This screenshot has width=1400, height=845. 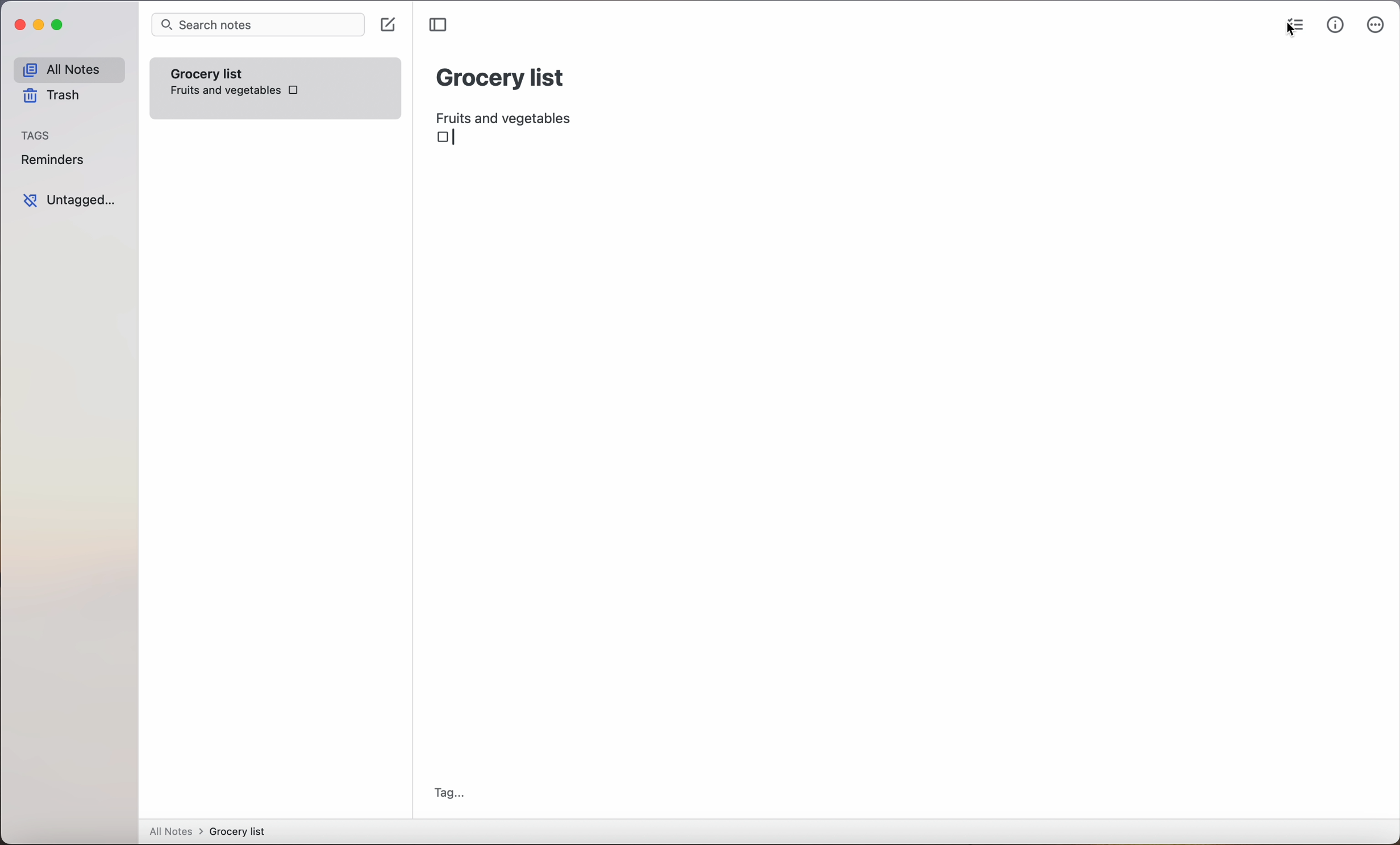 What do you see at coordinates (294, 89) in the screenshot?
I see `checkbox` at bounding box center [294, 89].